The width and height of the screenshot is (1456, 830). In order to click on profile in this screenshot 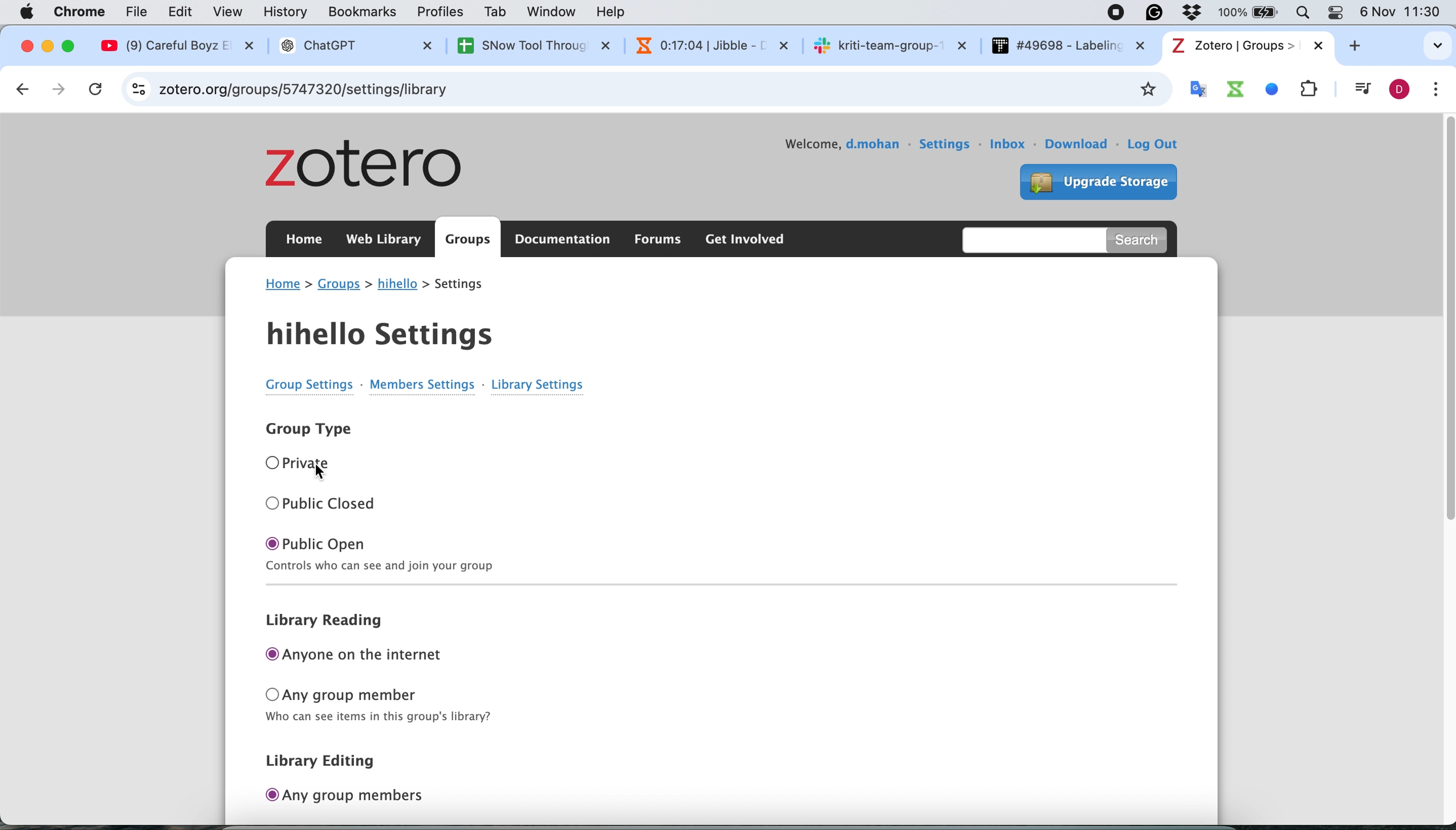, I will do `click(1396, 91)`.